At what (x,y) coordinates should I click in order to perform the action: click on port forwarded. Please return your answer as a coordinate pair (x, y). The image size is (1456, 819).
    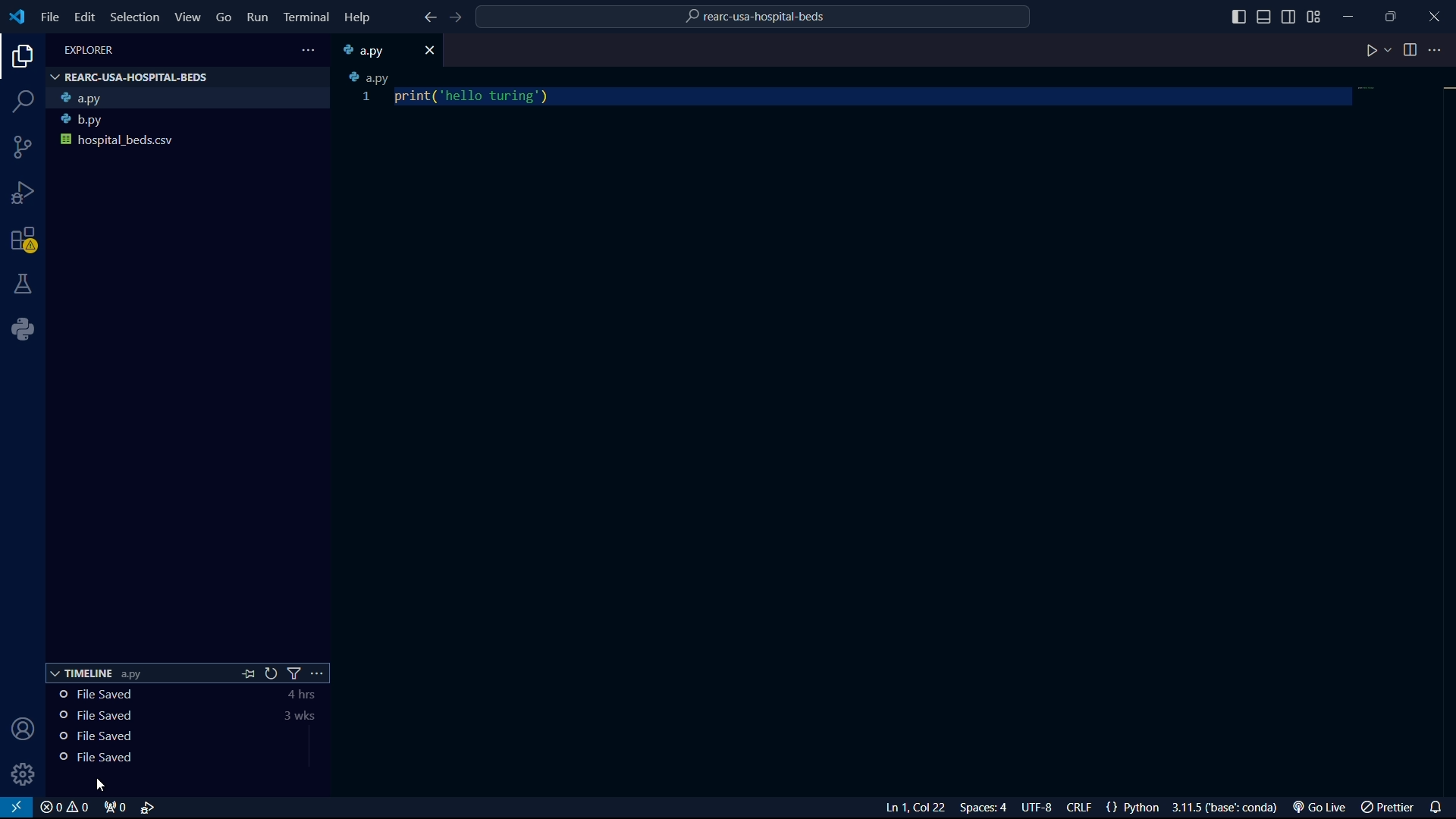
    Looking at the image, I should click on (112, 808).